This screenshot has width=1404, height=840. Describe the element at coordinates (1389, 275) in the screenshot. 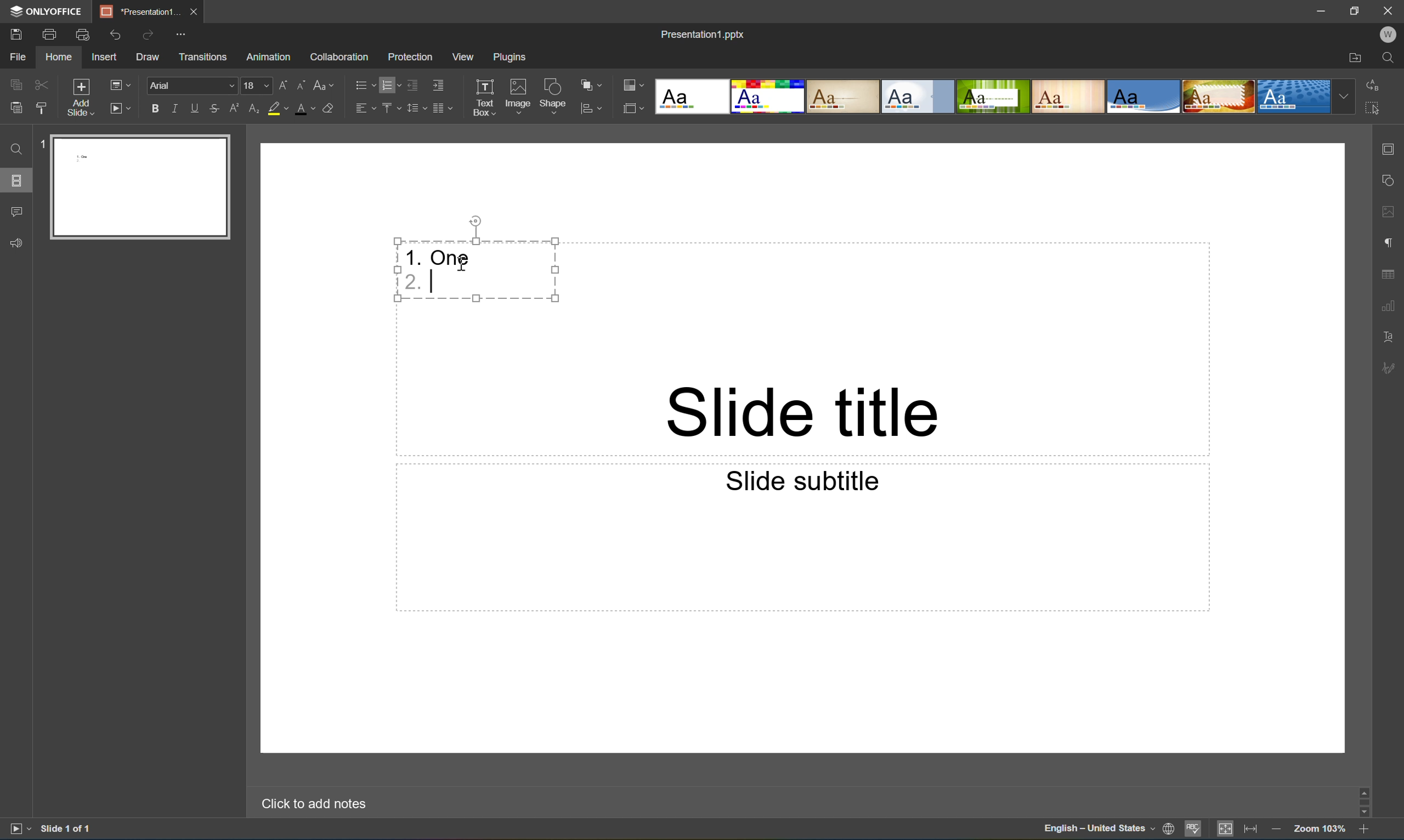

I see `Table settings` at that location.